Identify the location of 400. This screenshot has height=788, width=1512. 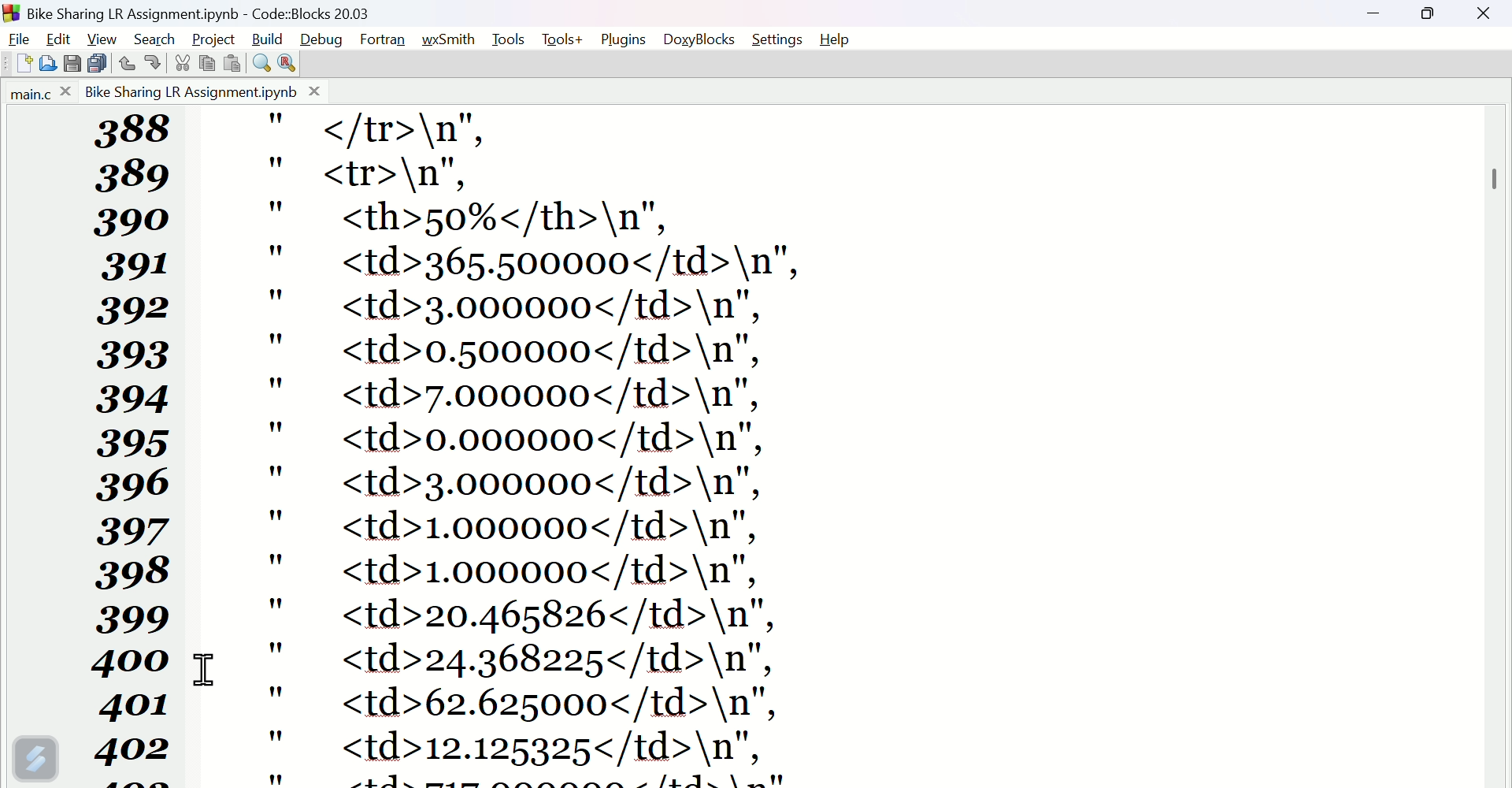
(133, 661).